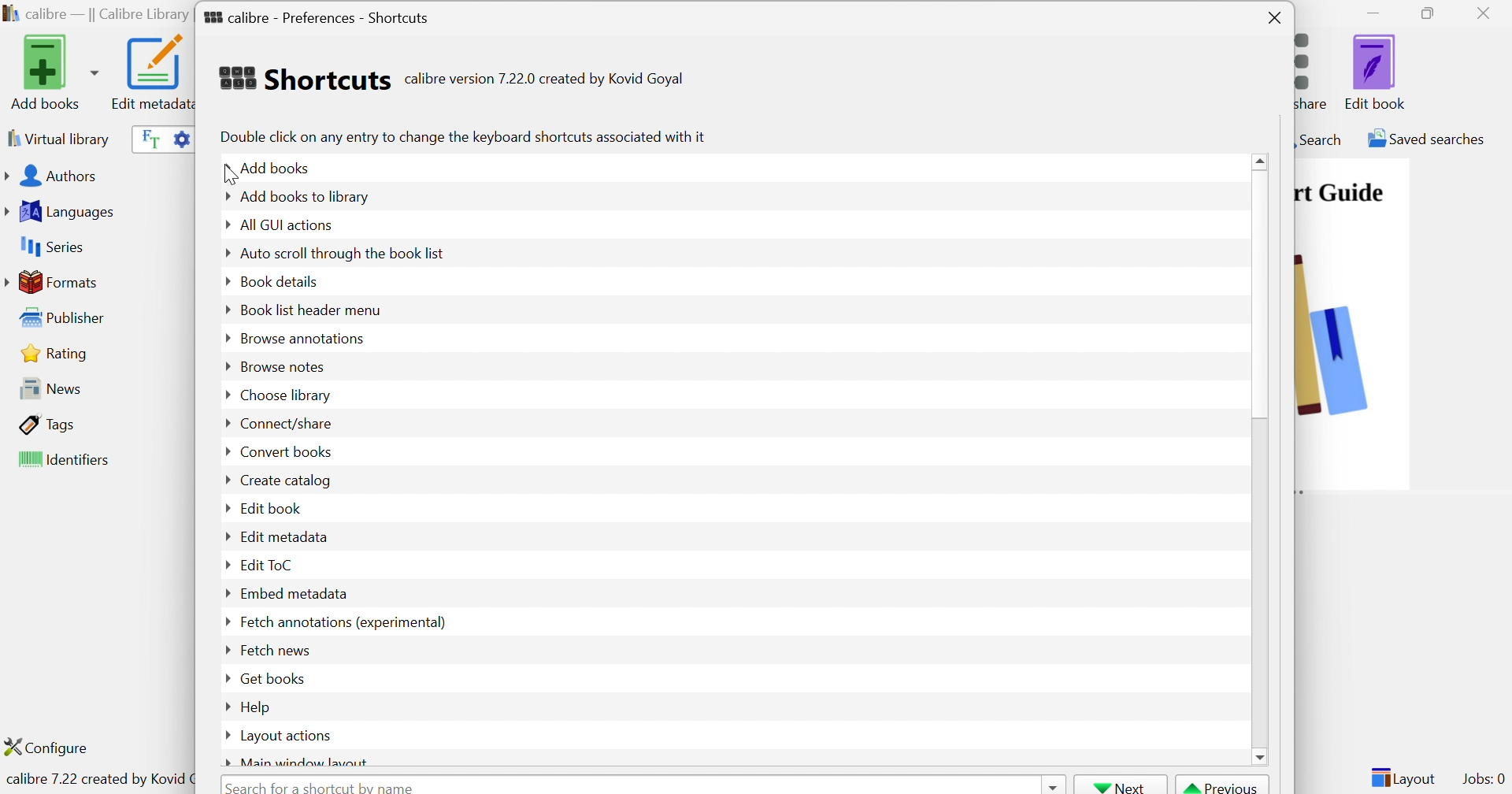 This screenshot has height=794, width=1512. Describe the element at coordinates (258, 707) in the screenshot. I see `Help` at that location.